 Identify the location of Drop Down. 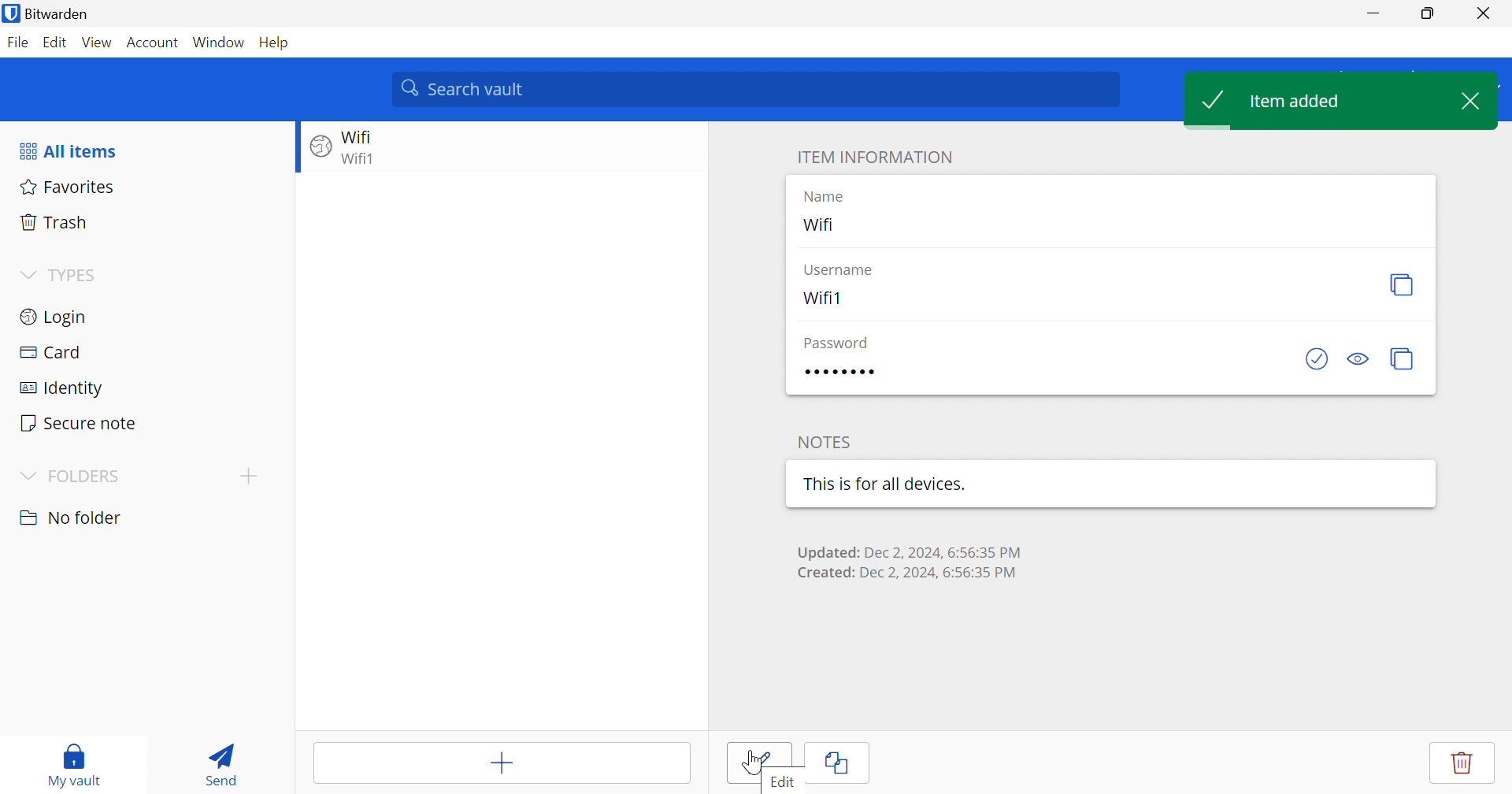
(27, 276).